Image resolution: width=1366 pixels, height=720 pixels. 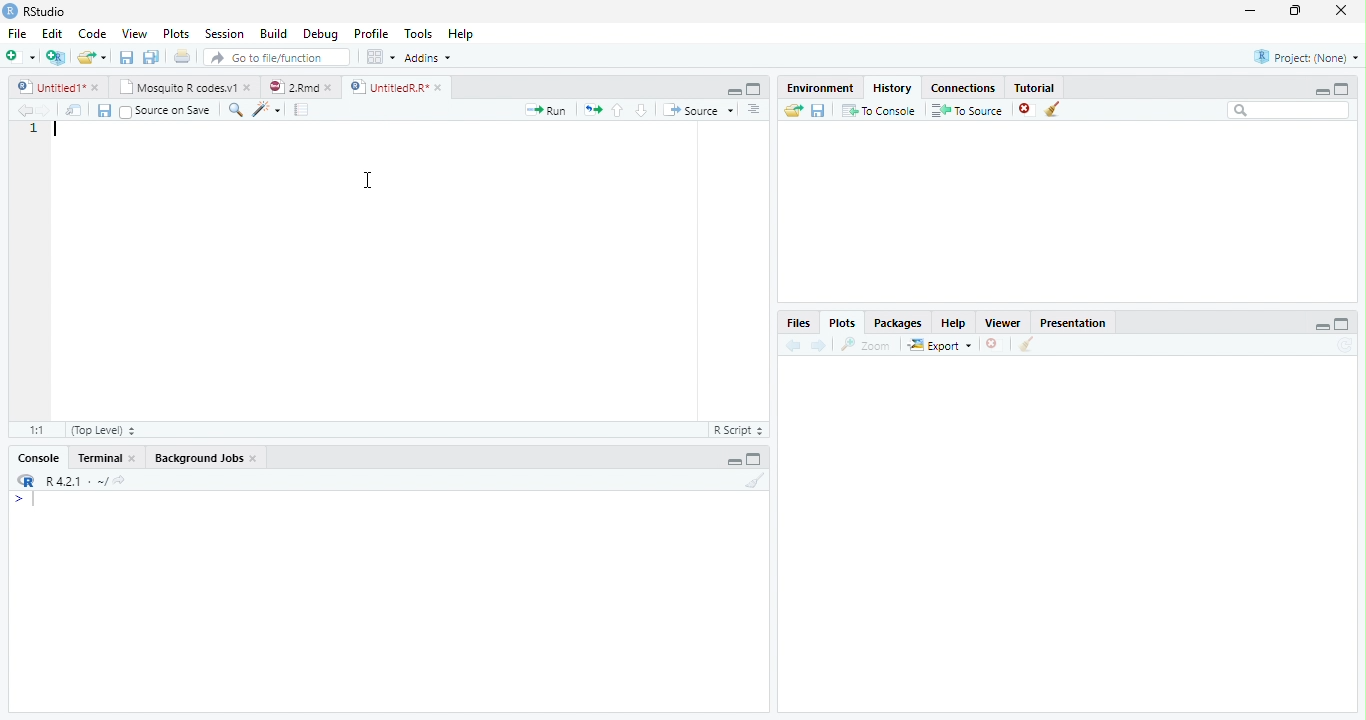 I want to click on Files,, so click(x=795, y=323).